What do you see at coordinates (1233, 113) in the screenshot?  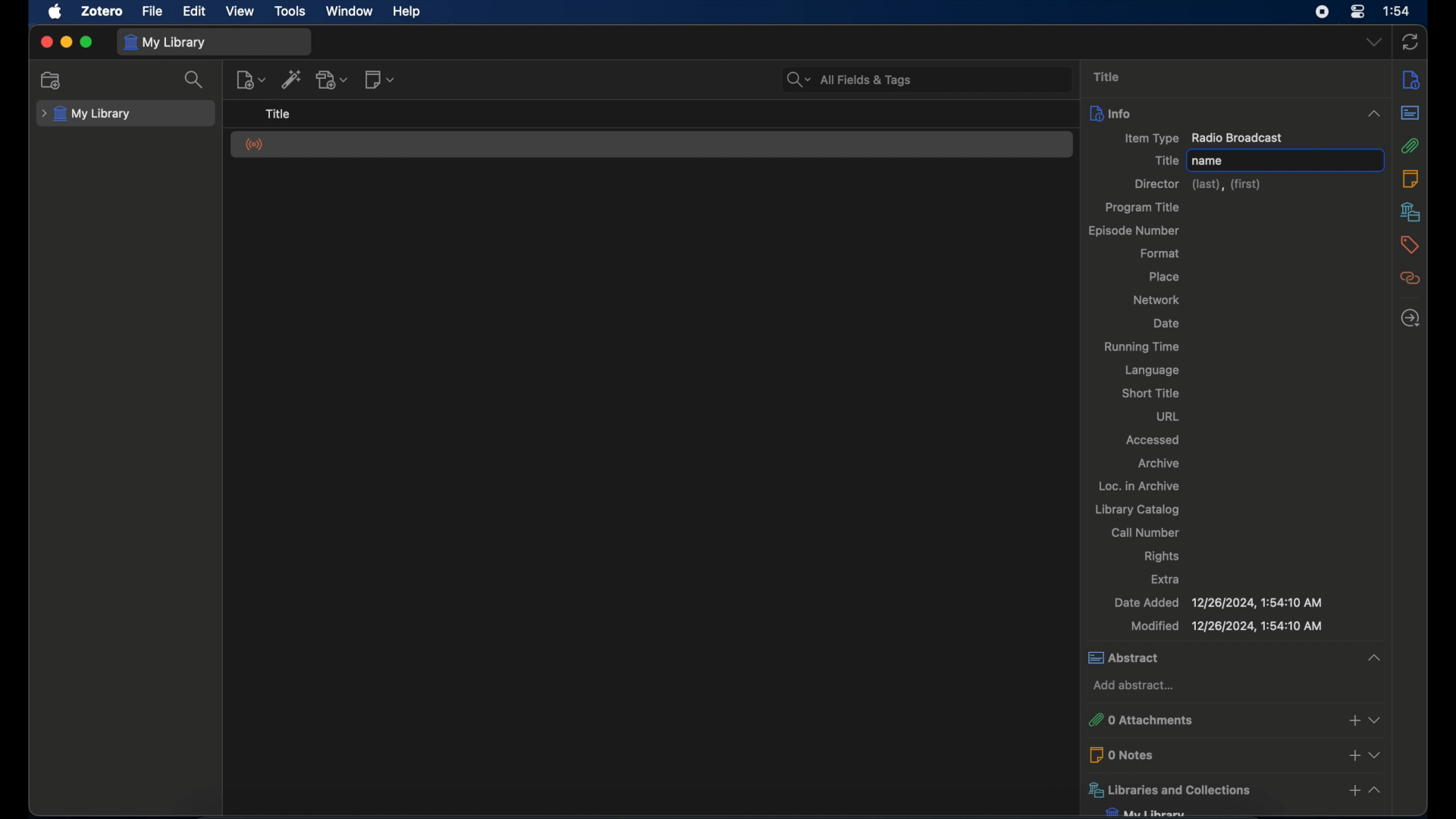 I see `info` at bounding box center [1233, 113].